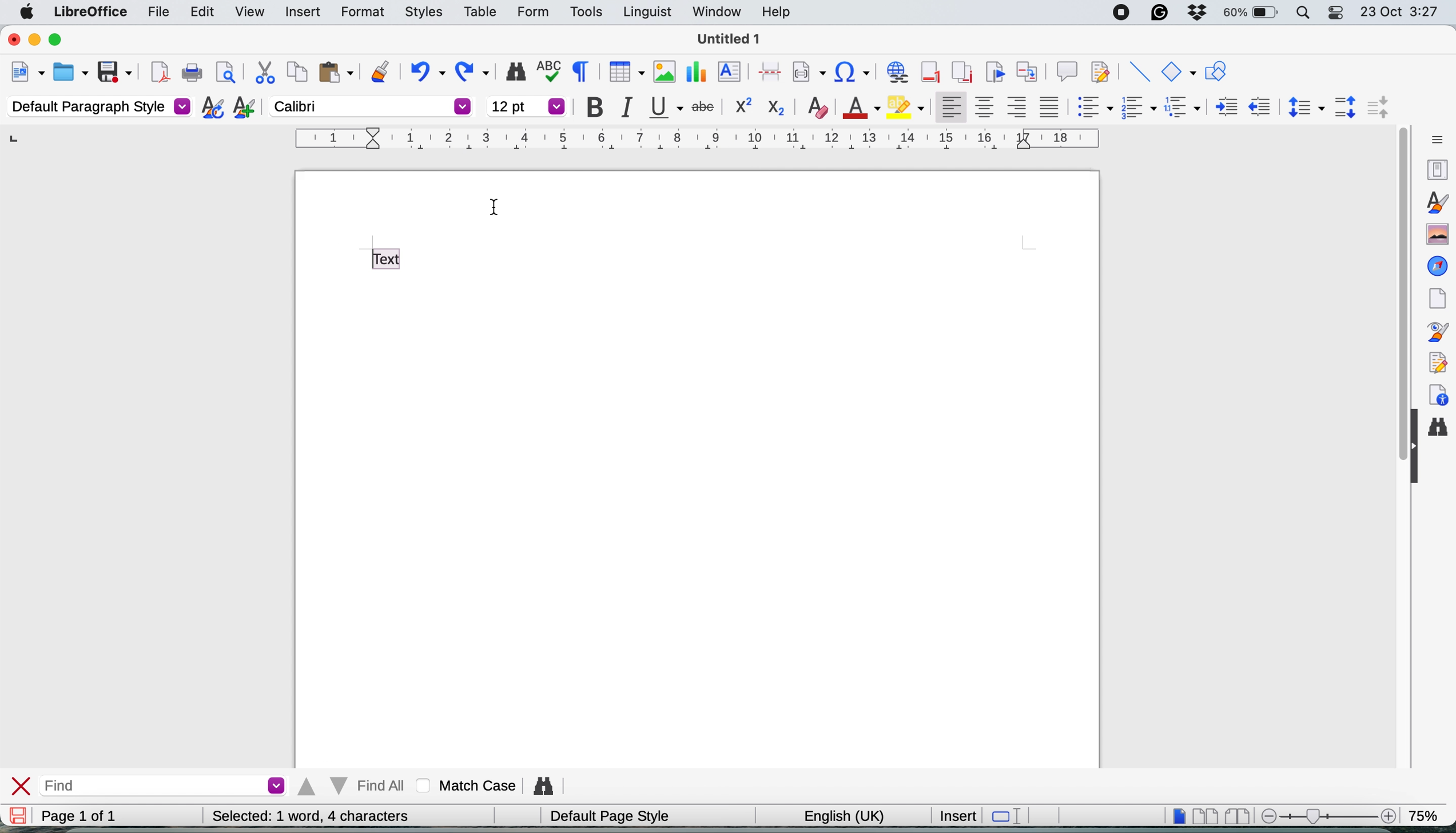 This screenshot has height=833, width=1456. What do you see at coordinates (1173, 815) in the screenshot?
I see `single page view` at bounding box center [1173, 815].